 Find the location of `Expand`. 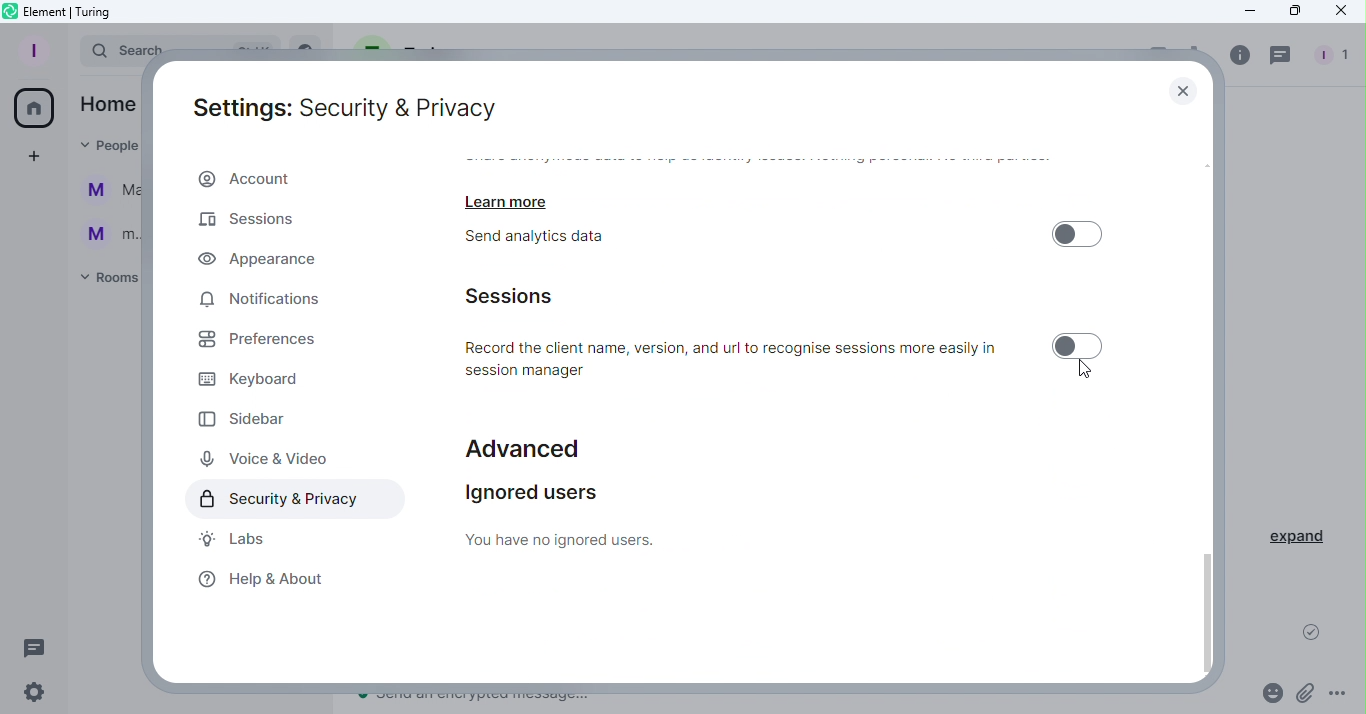

Expand is located at coordinates (1298, 537).